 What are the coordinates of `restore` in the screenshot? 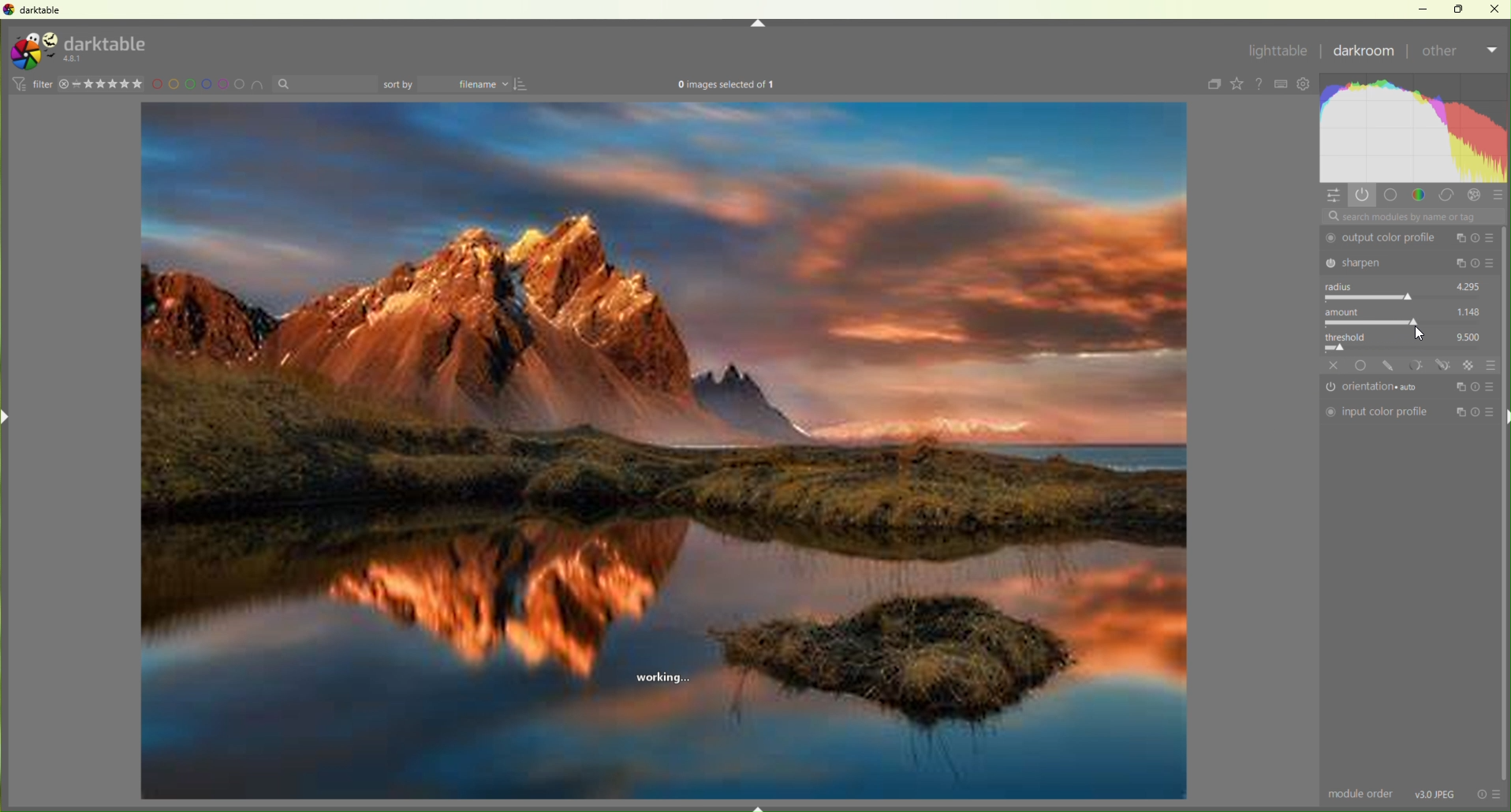 It's located at (1461, 8).